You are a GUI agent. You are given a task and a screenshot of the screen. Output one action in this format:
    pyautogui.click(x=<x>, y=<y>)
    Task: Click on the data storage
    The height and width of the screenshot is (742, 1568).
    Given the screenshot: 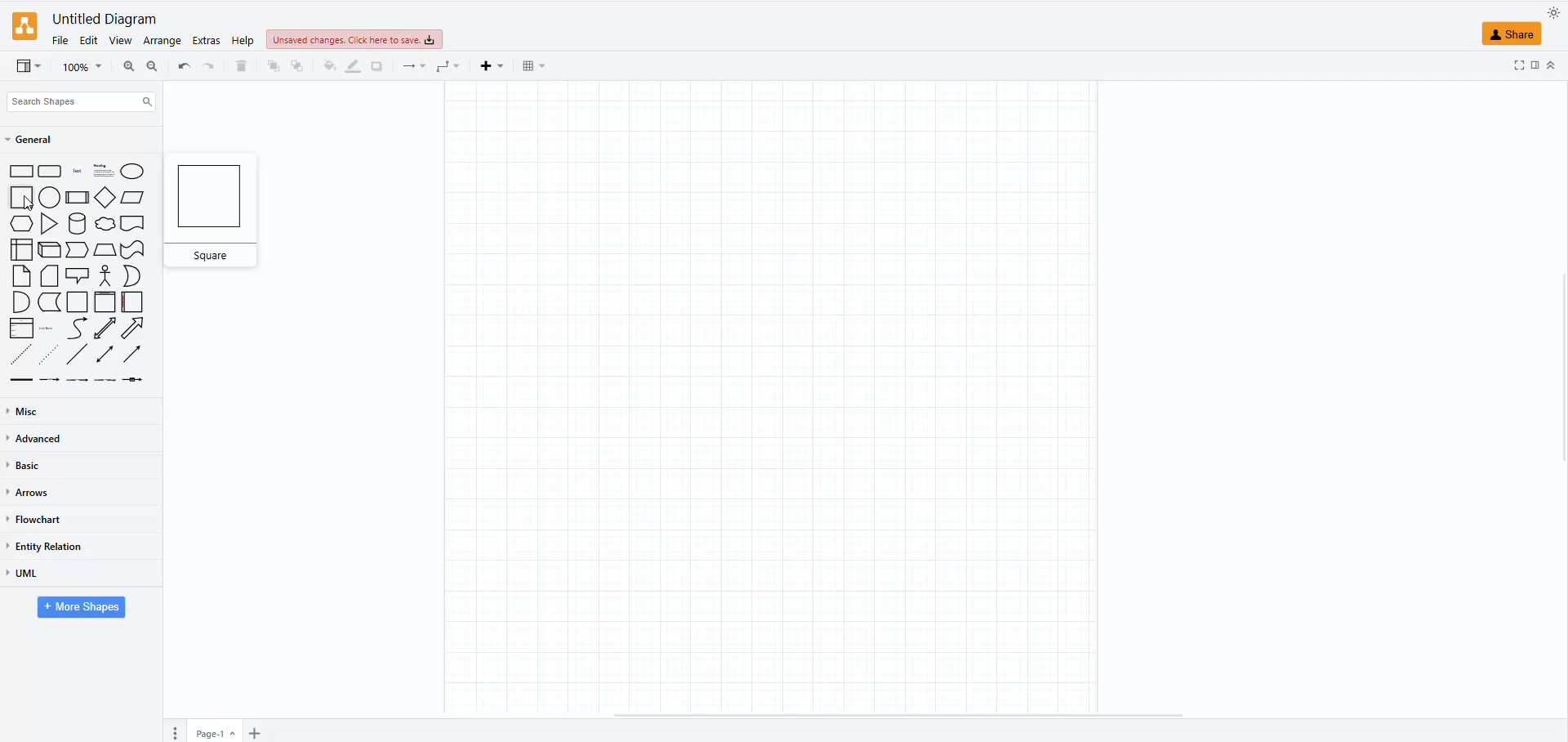 What is the action you would take?
    pyautogui.click(x=51, y=302)
    